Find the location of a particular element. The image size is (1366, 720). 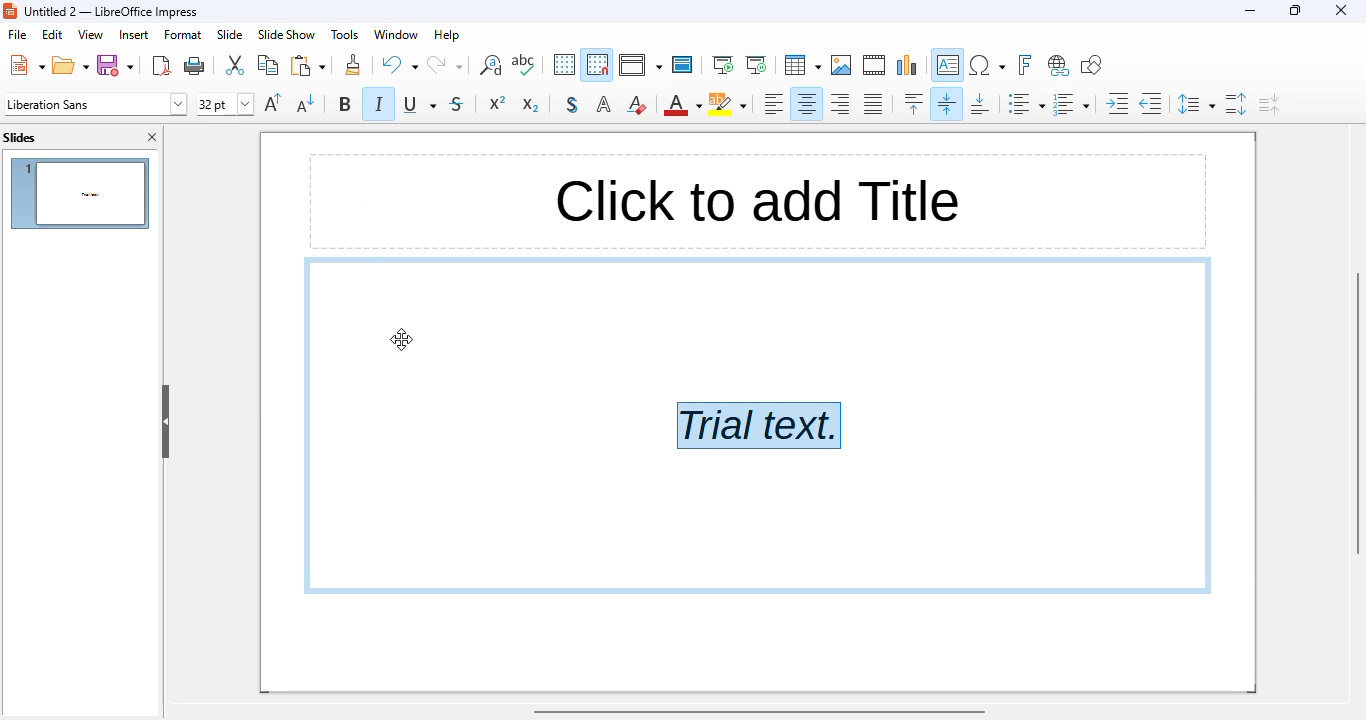

align right is located at coordinates (840, 104).